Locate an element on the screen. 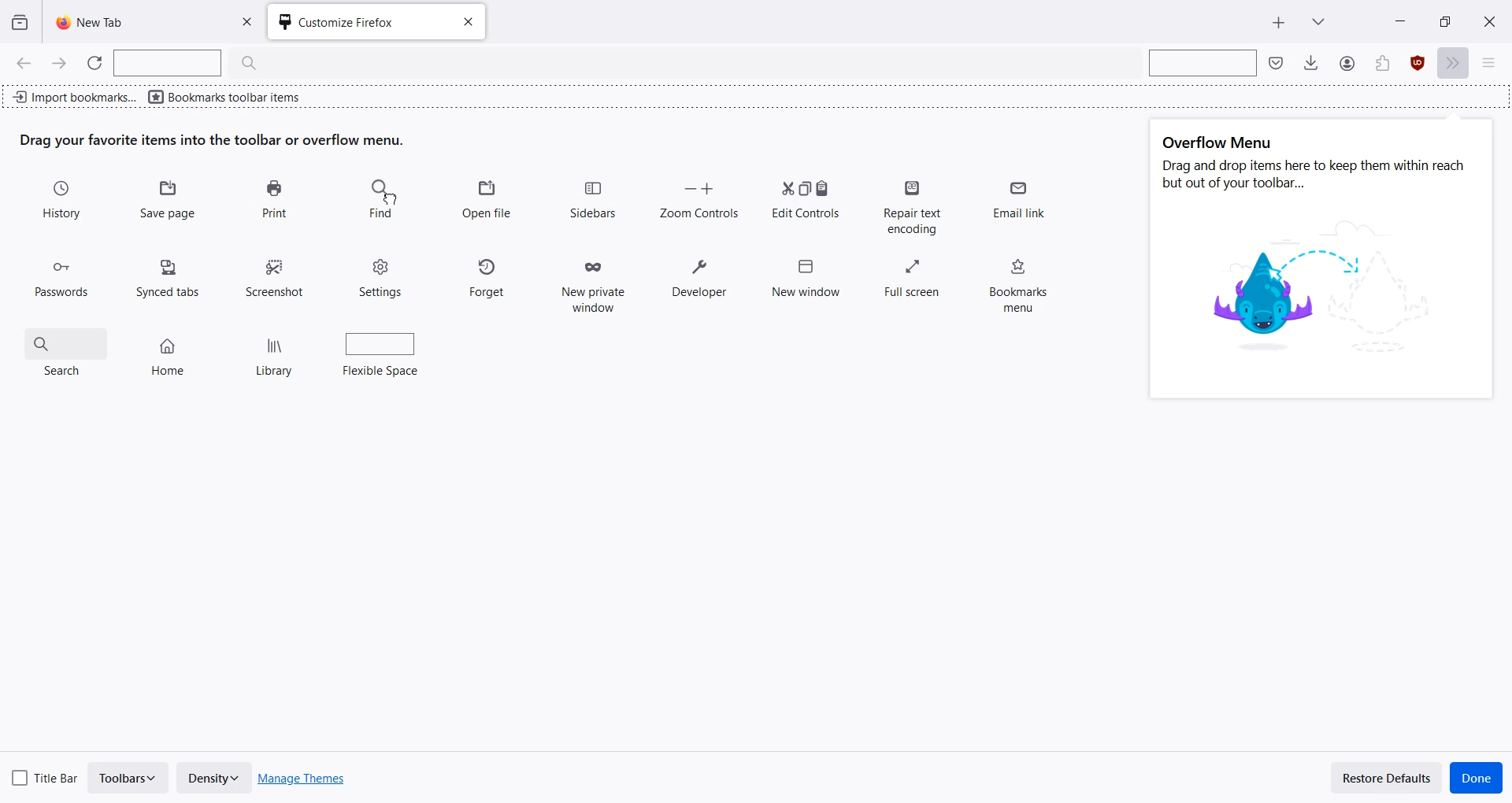  More tools is located at coordinates (1456, 64).